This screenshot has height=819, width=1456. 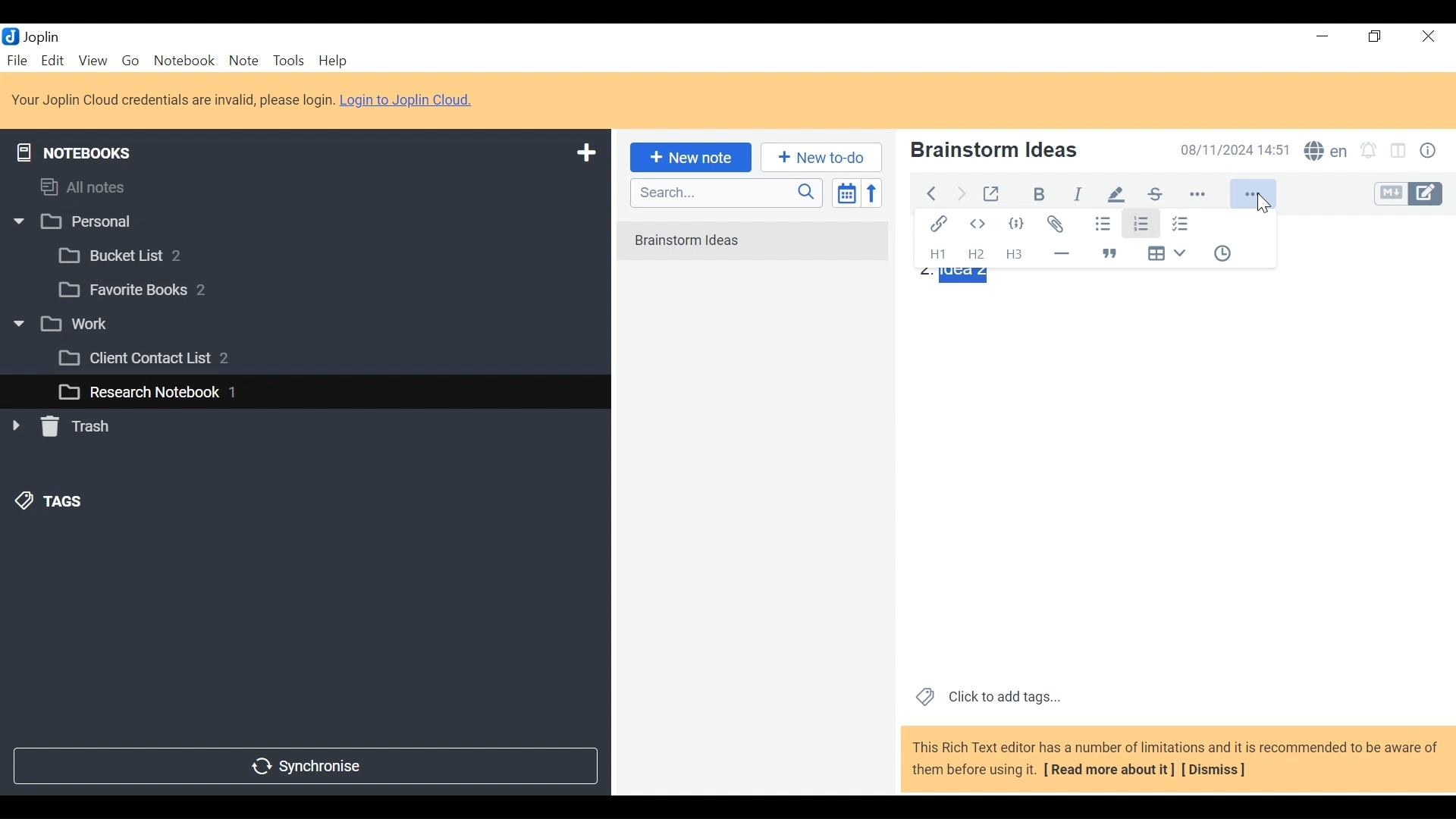 I want to click on Headings, so click(x=1021, y=254).